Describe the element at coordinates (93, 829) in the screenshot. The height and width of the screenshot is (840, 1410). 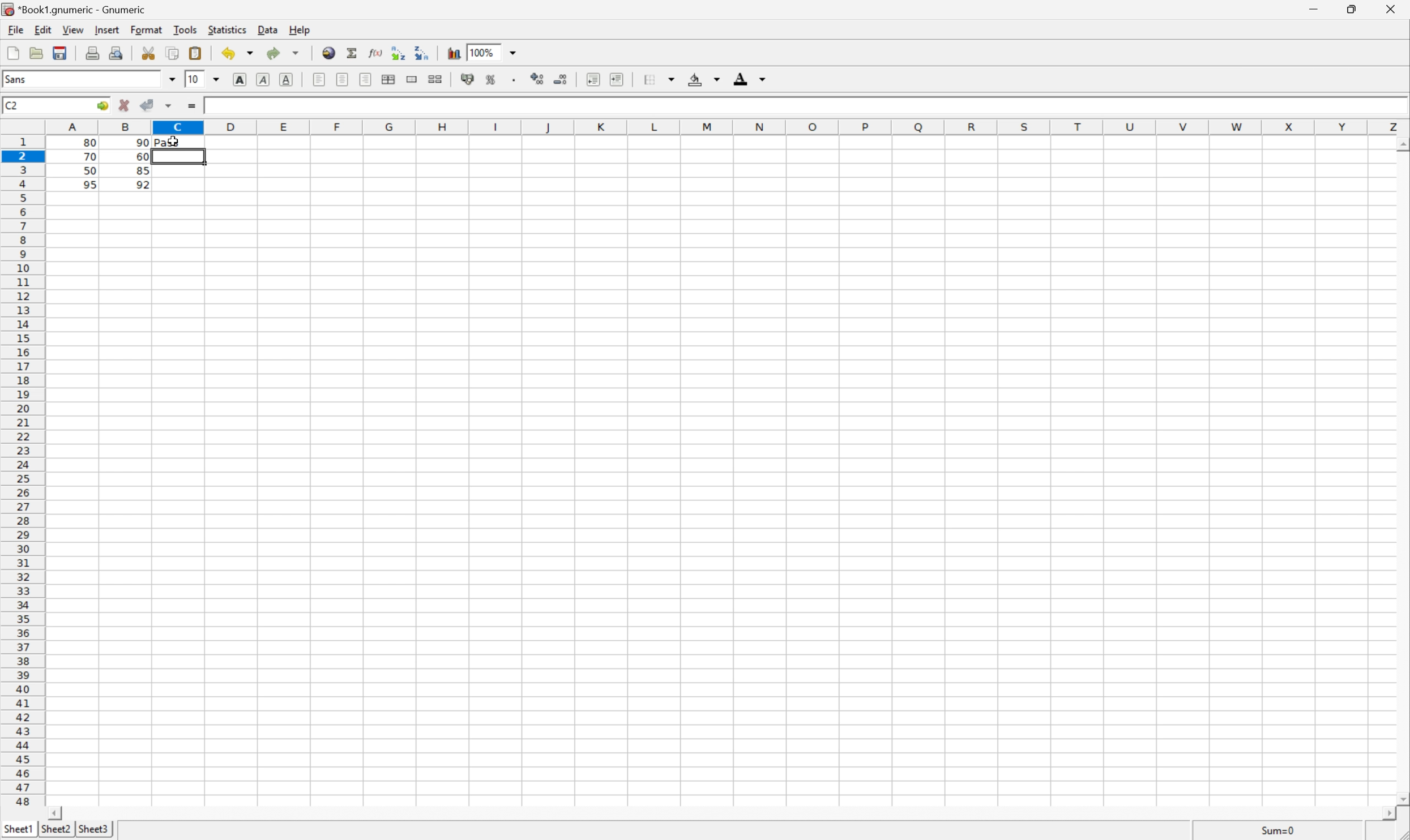
I see `Sheet3` at that location.